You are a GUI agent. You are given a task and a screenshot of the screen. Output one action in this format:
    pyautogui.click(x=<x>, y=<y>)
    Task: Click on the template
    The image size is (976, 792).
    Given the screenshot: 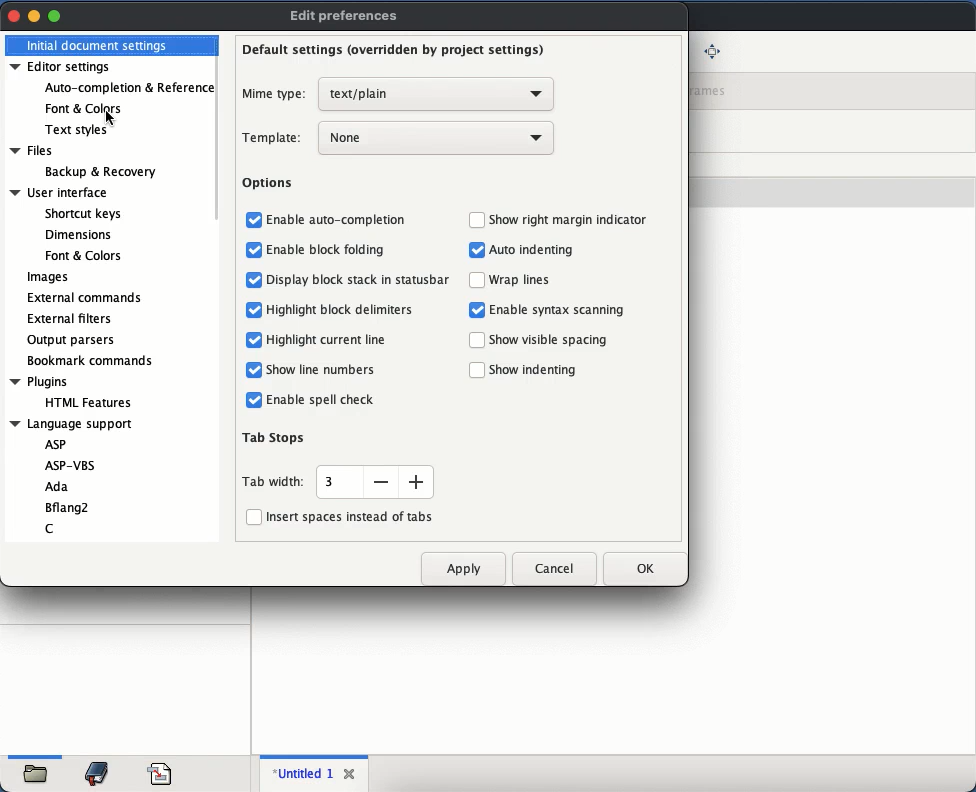 What is the action you would take?
    pyautogui.click(x=273, y=139)
    